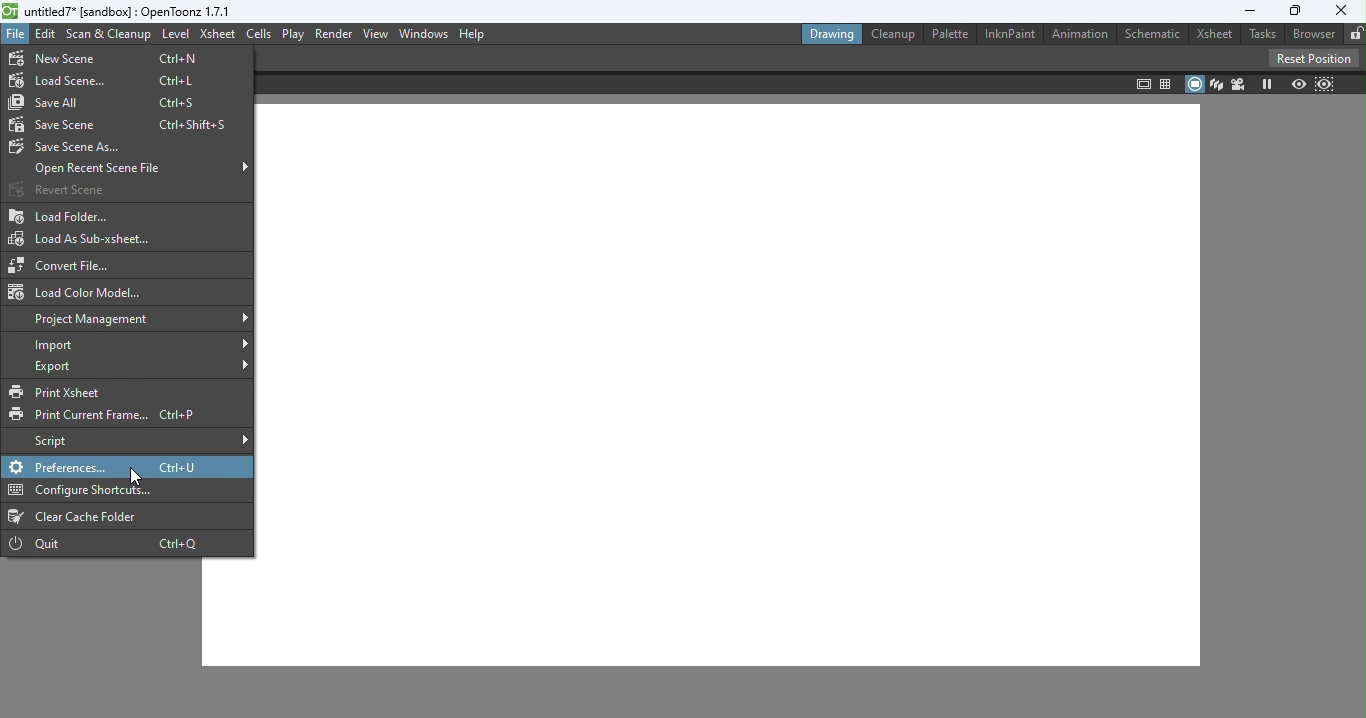  I want to click on Load color model, so click(78, 291).